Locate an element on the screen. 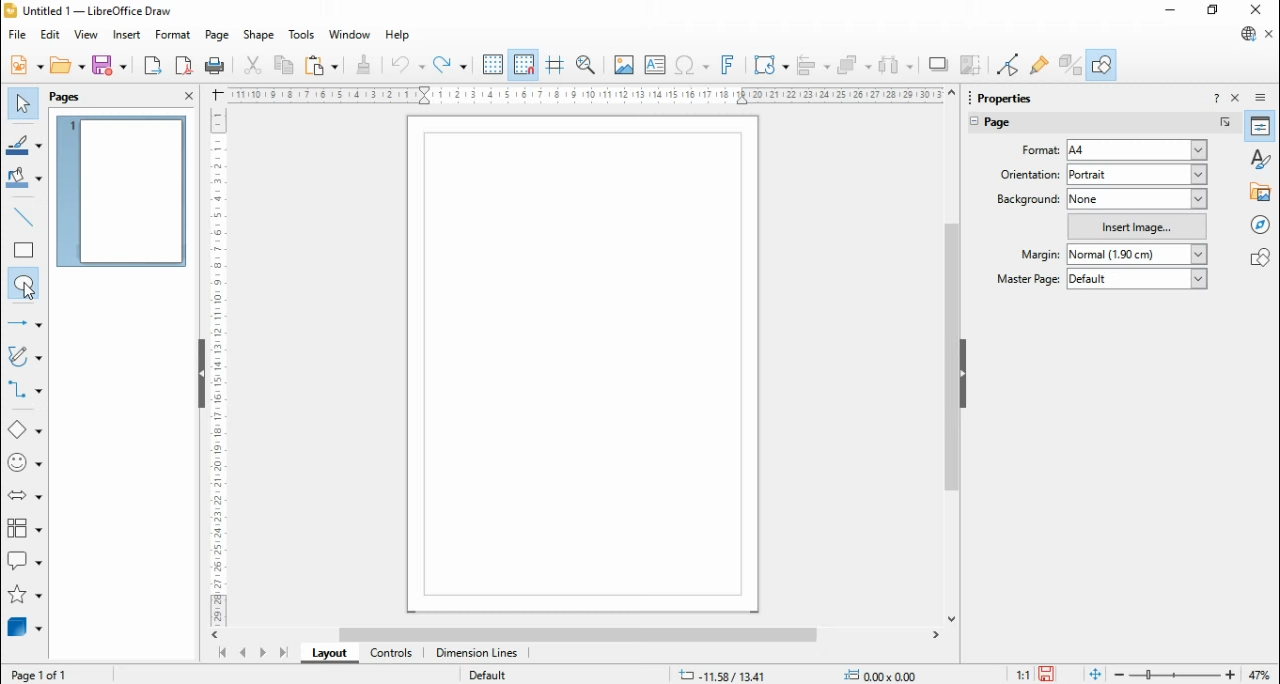  curves and polygons is located at coordinates (26, 357).